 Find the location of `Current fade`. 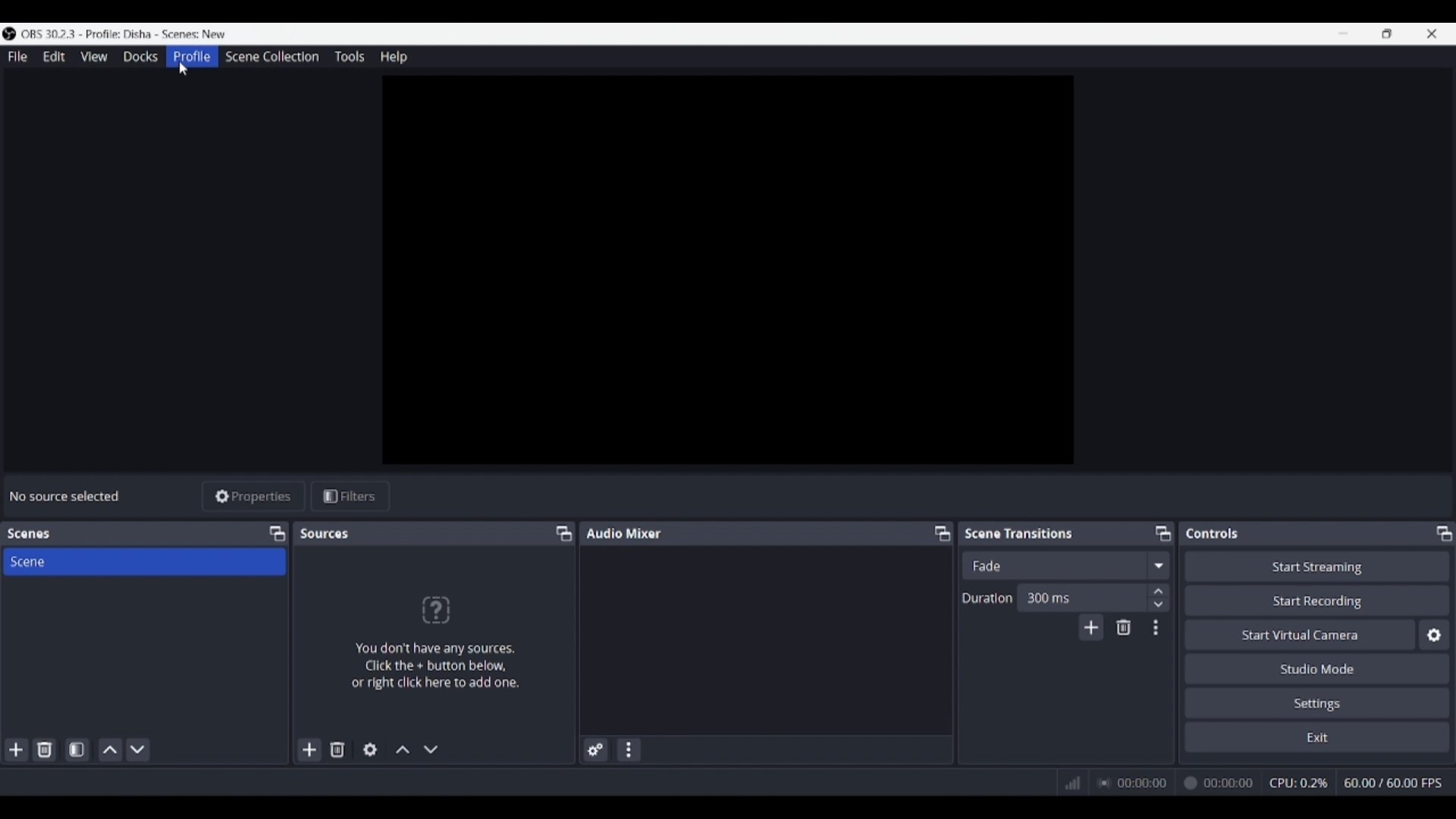

Current fade is located at coordinates (1053, 565).